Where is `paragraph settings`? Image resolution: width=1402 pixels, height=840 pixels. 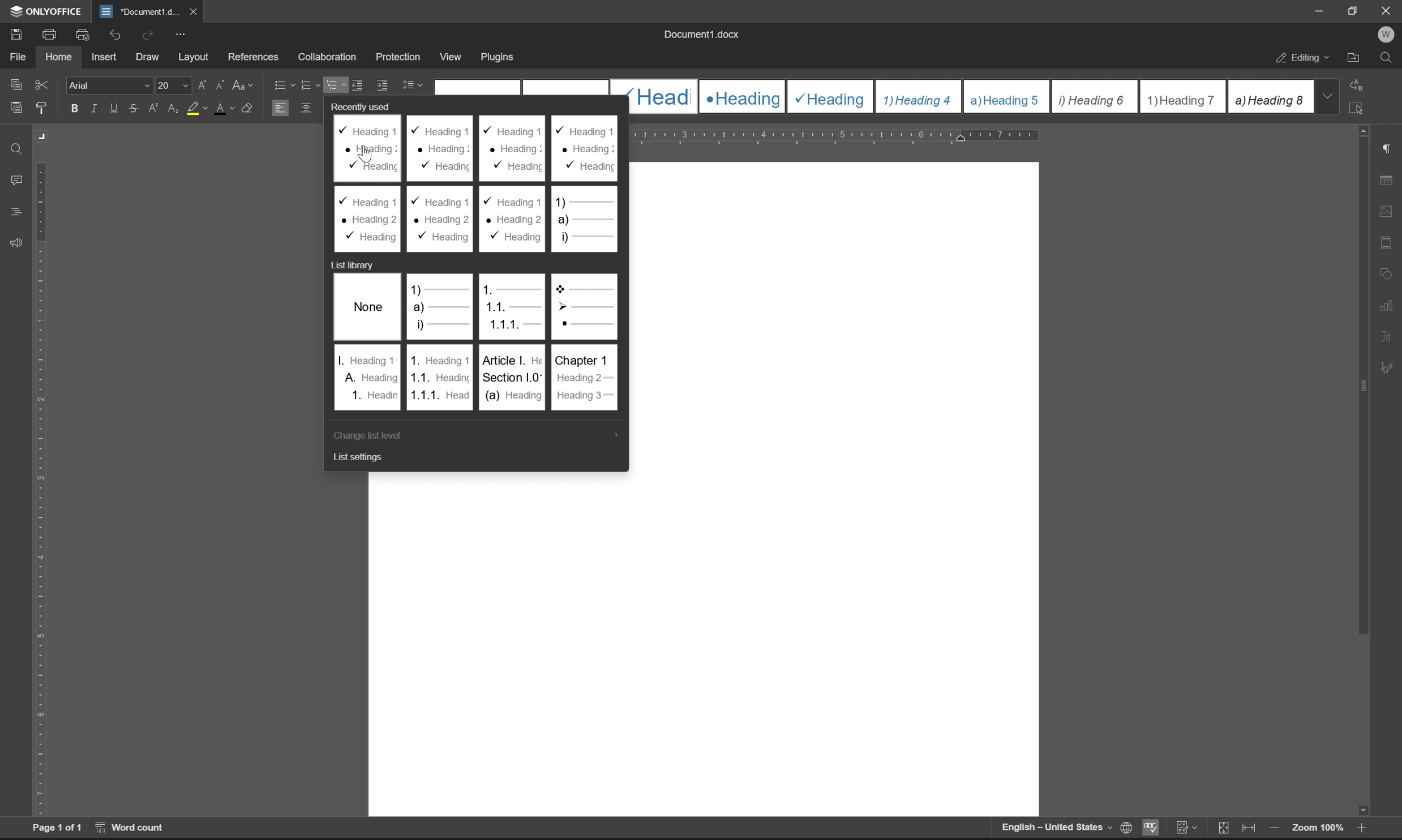
paragraph settings is located at coordinates (1386, 149).